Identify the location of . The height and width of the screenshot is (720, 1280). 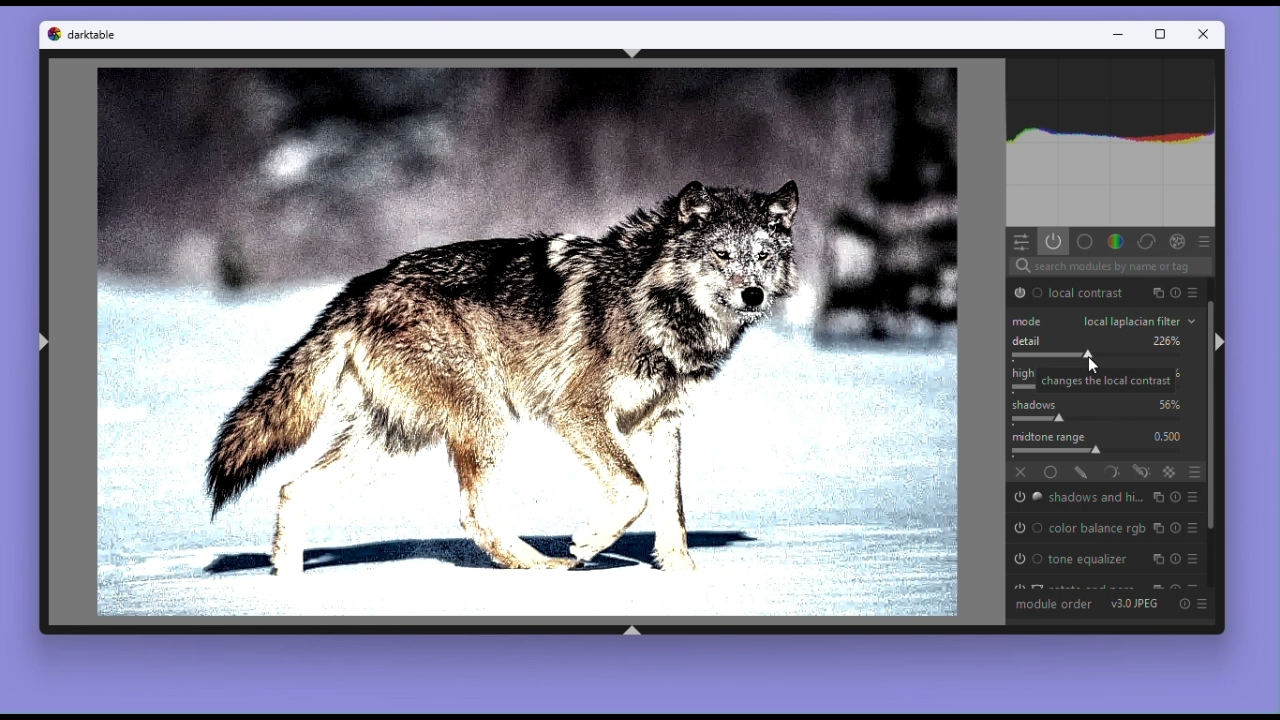
(1155, 294).